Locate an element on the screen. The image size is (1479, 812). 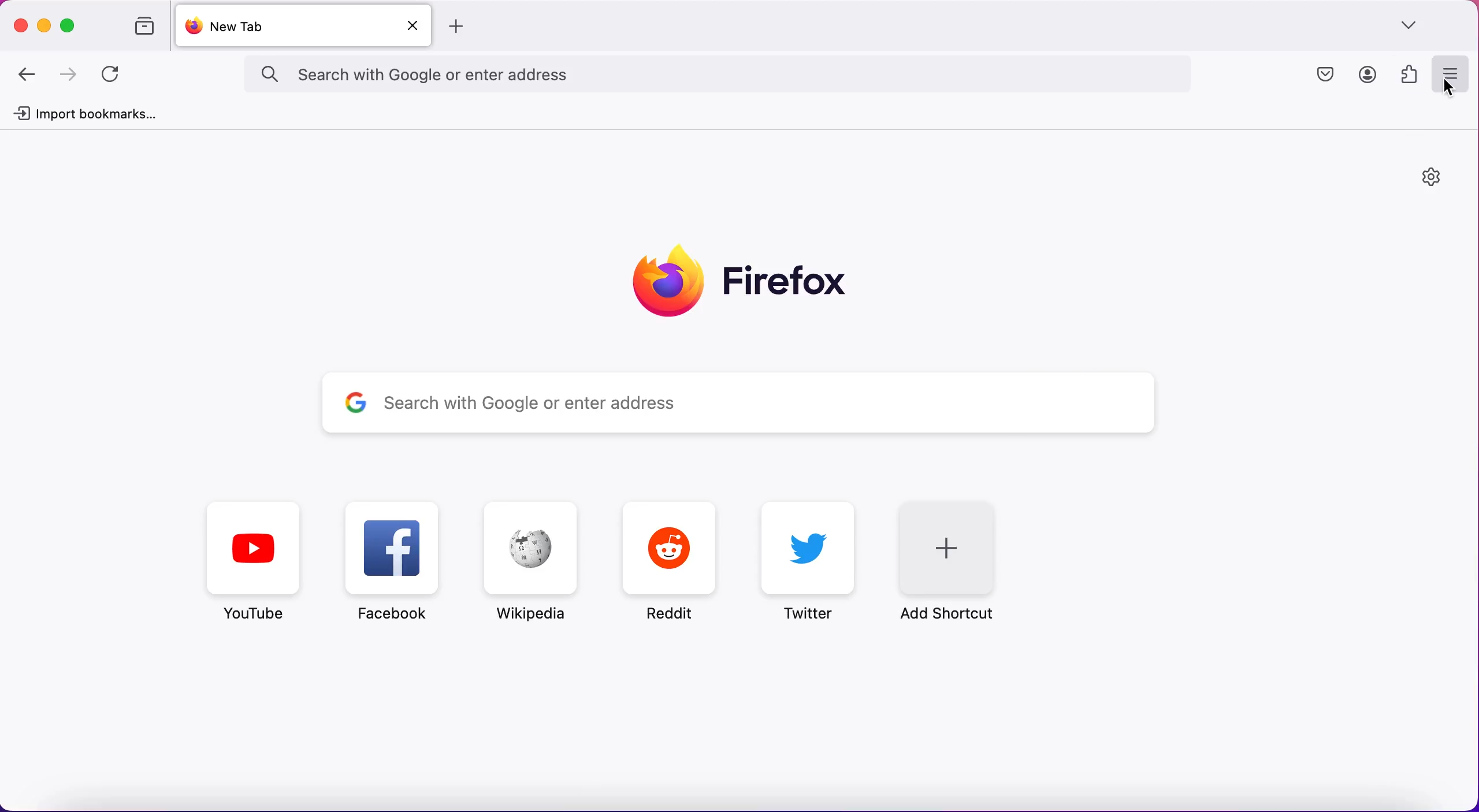
import bookmarks is located at coordinates (90, 115).